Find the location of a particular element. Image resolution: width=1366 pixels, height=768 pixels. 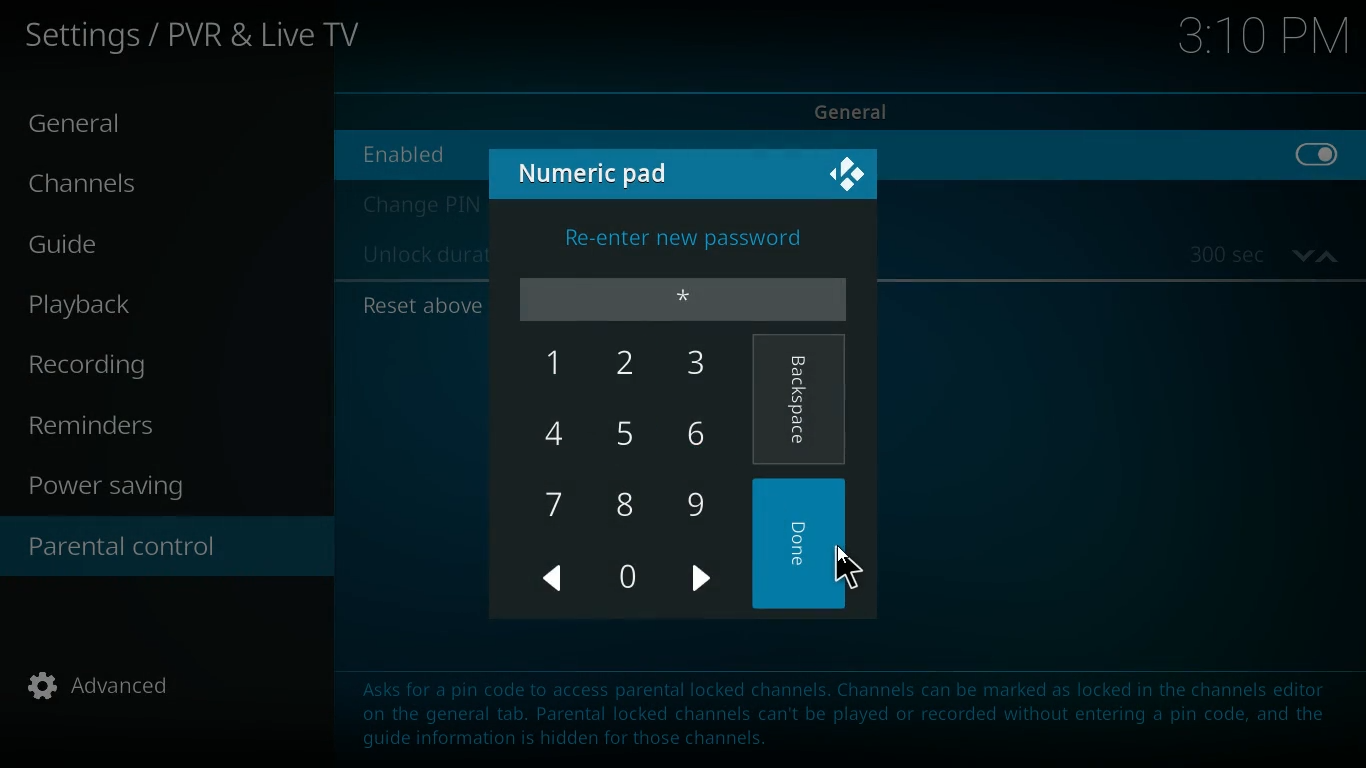

9 is located at coordinates (700, 508).